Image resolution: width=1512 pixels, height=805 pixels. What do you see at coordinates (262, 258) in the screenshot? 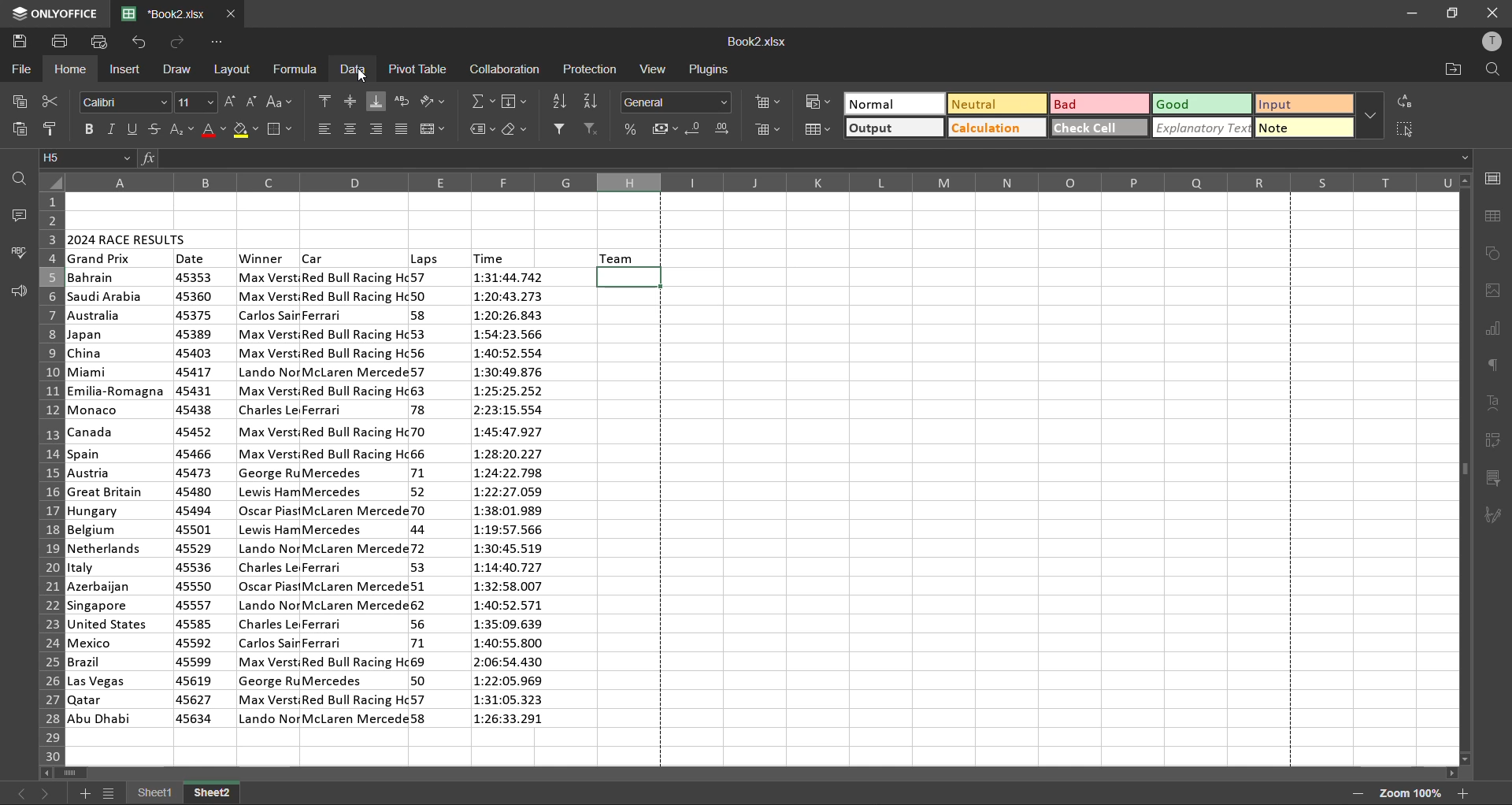
I see `winner` at bounding box center [262, 258].